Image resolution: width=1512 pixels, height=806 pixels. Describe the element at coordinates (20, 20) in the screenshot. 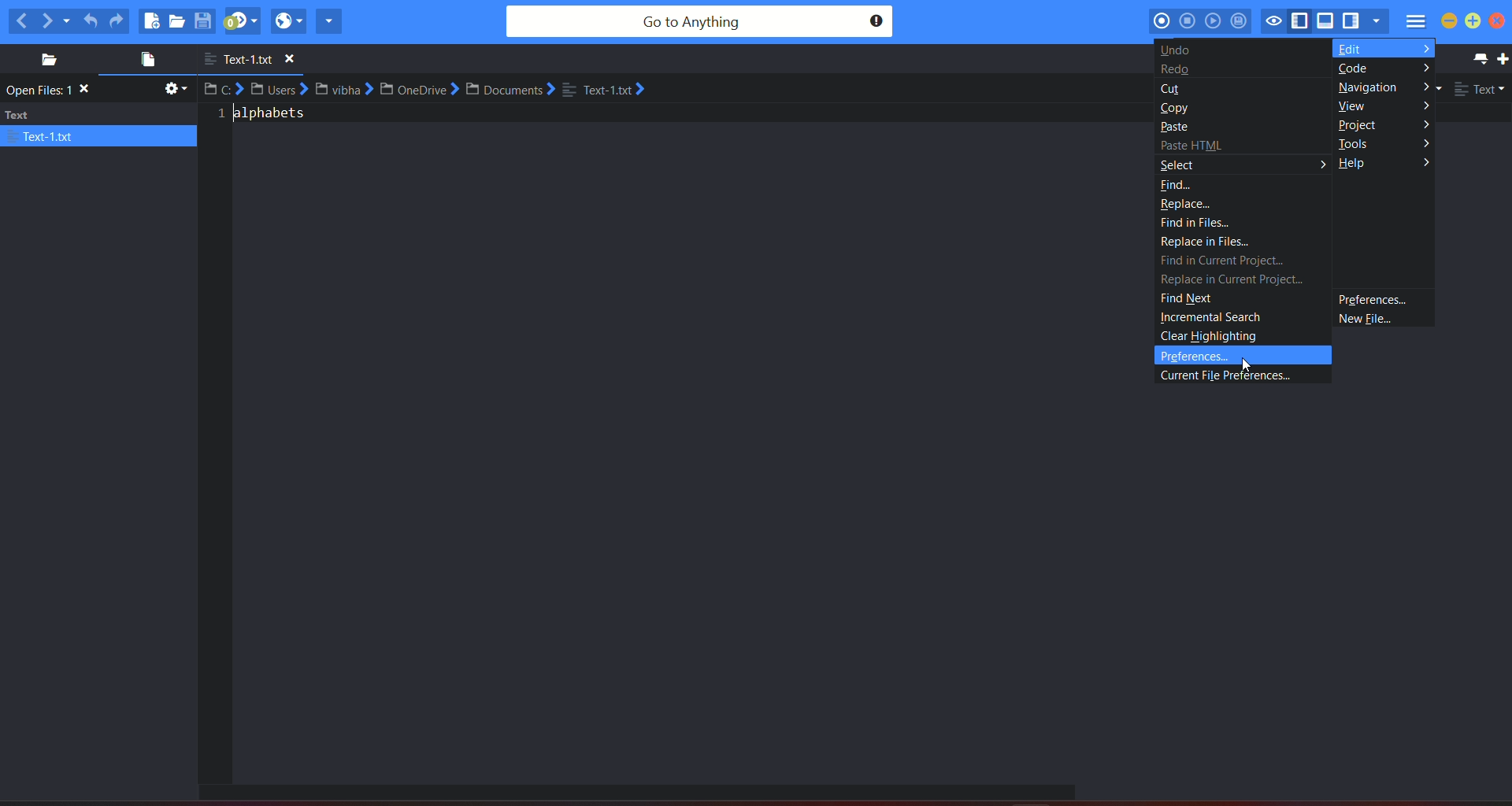

I see `previous` at that location.